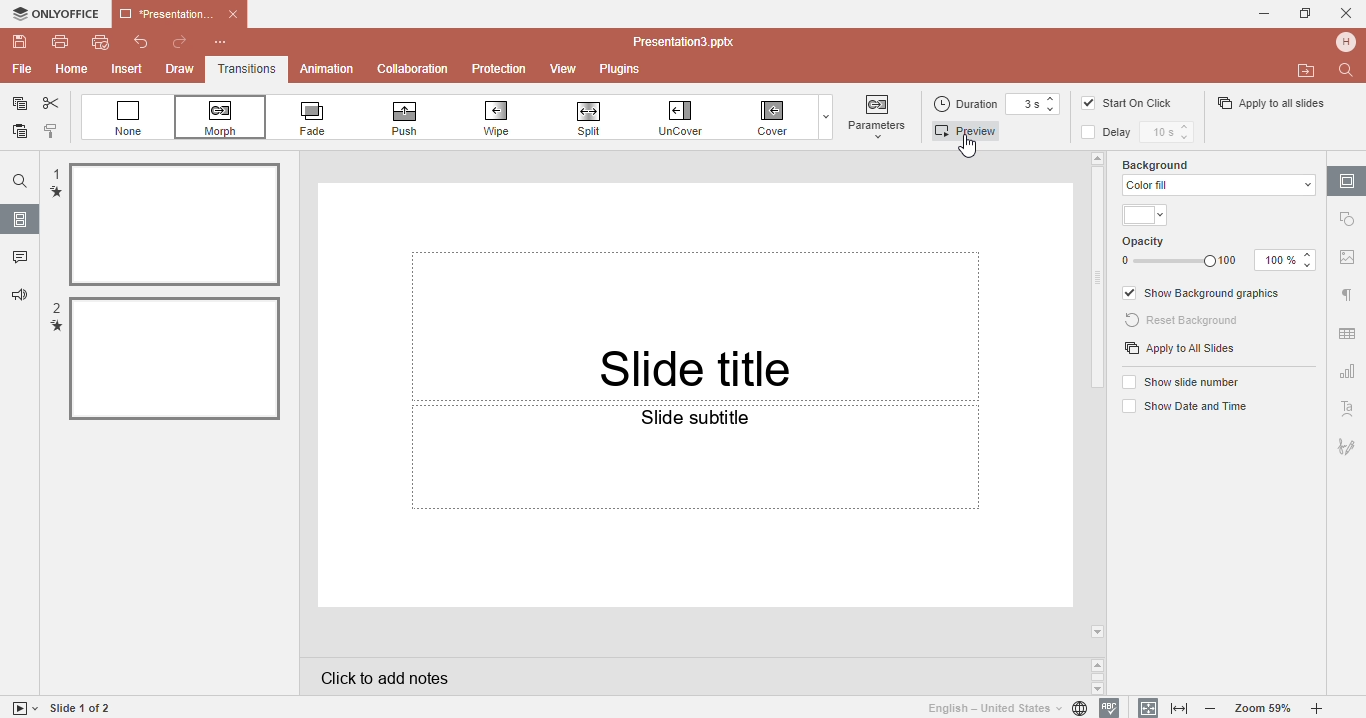 Image resolution: width=1366 pixels, height=718 pixels. I want to click on Scroll buttons, so click(1099, 676).